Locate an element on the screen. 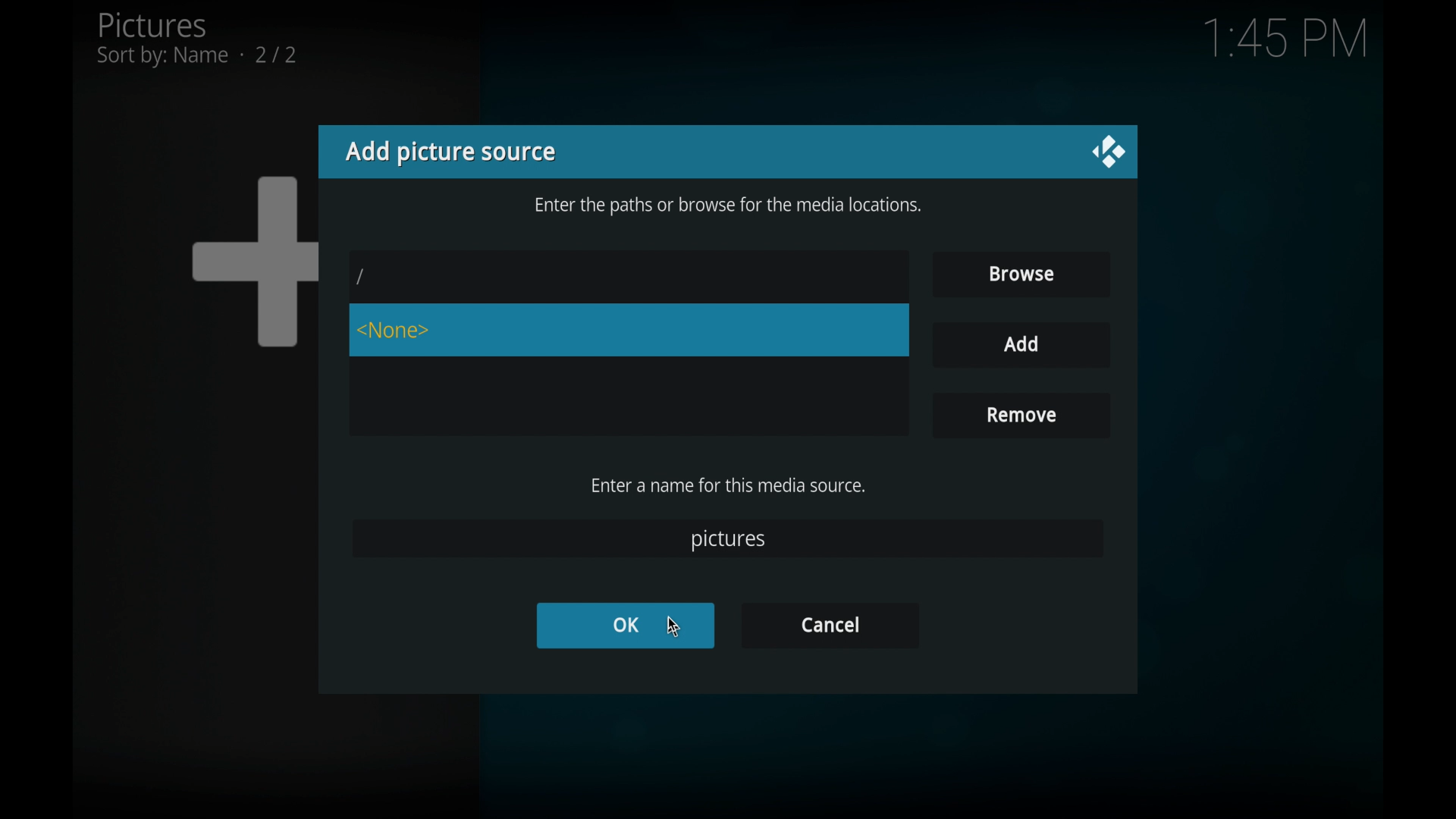 Image resolution: width=1456 pixels, height=819 pixels. info is located at coordinates (728, 207).